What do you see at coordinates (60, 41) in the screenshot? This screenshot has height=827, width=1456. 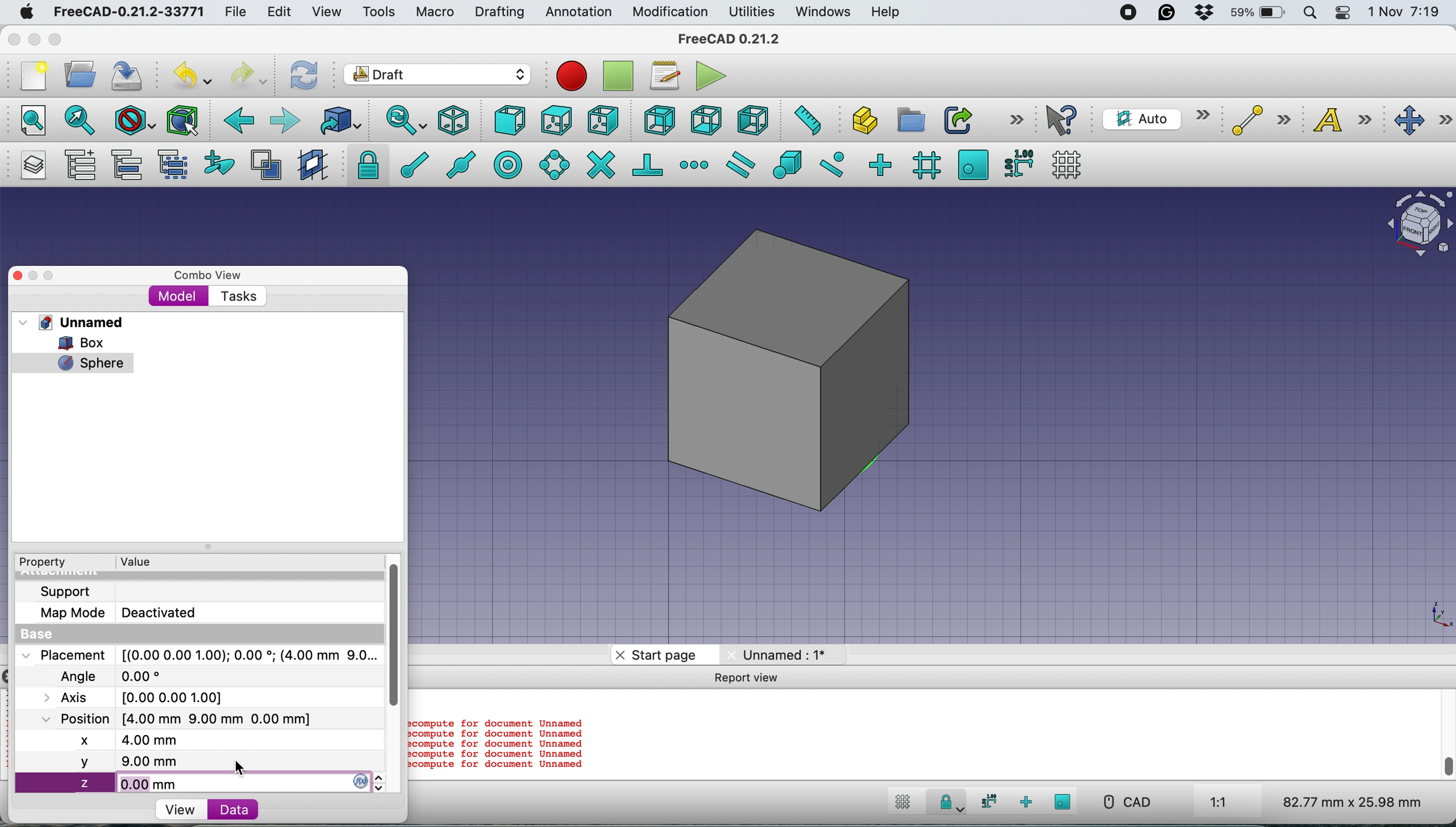 I see `maximise` at bounding box center [60, 41].